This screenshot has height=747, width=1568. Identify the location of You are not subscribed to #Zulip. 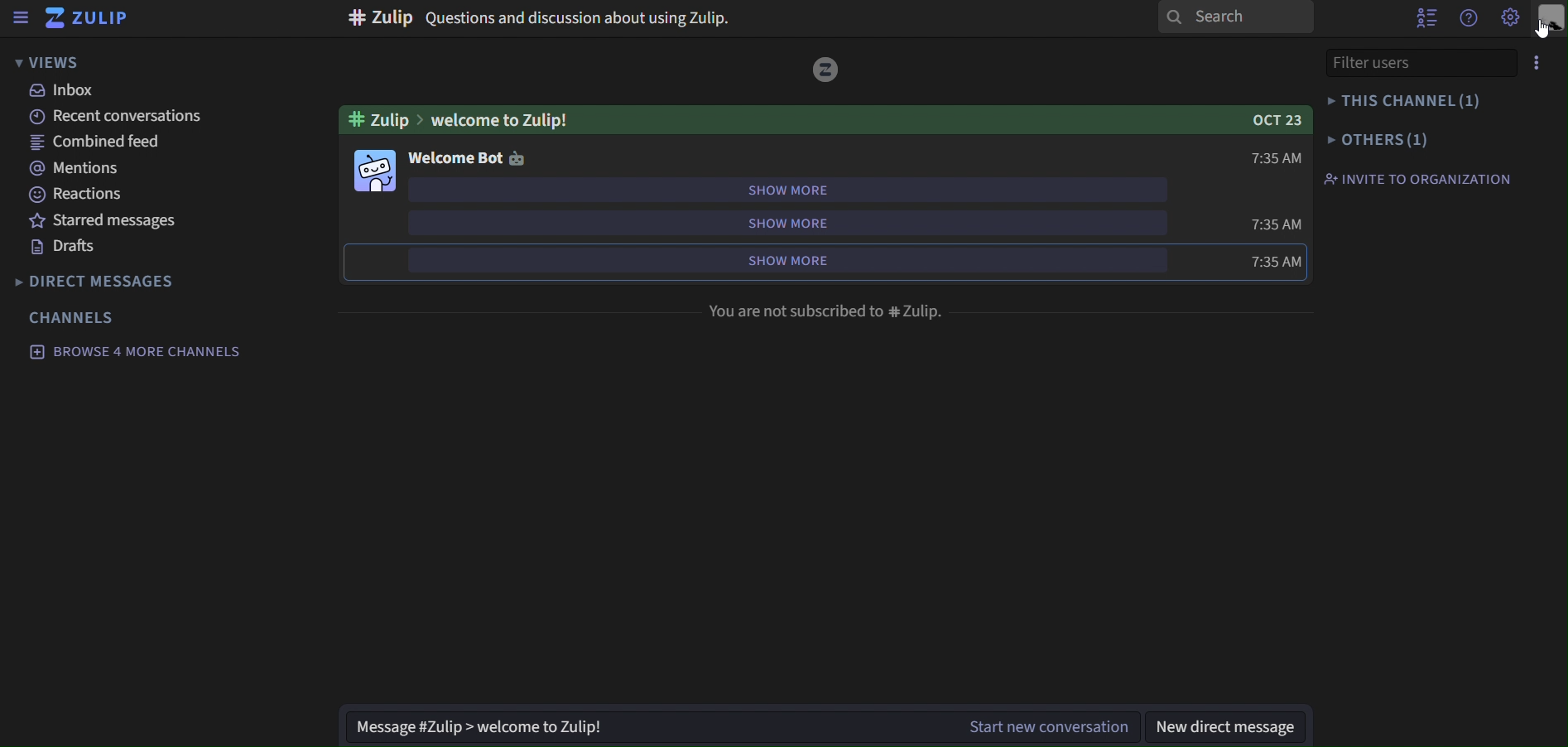
(833, 309).